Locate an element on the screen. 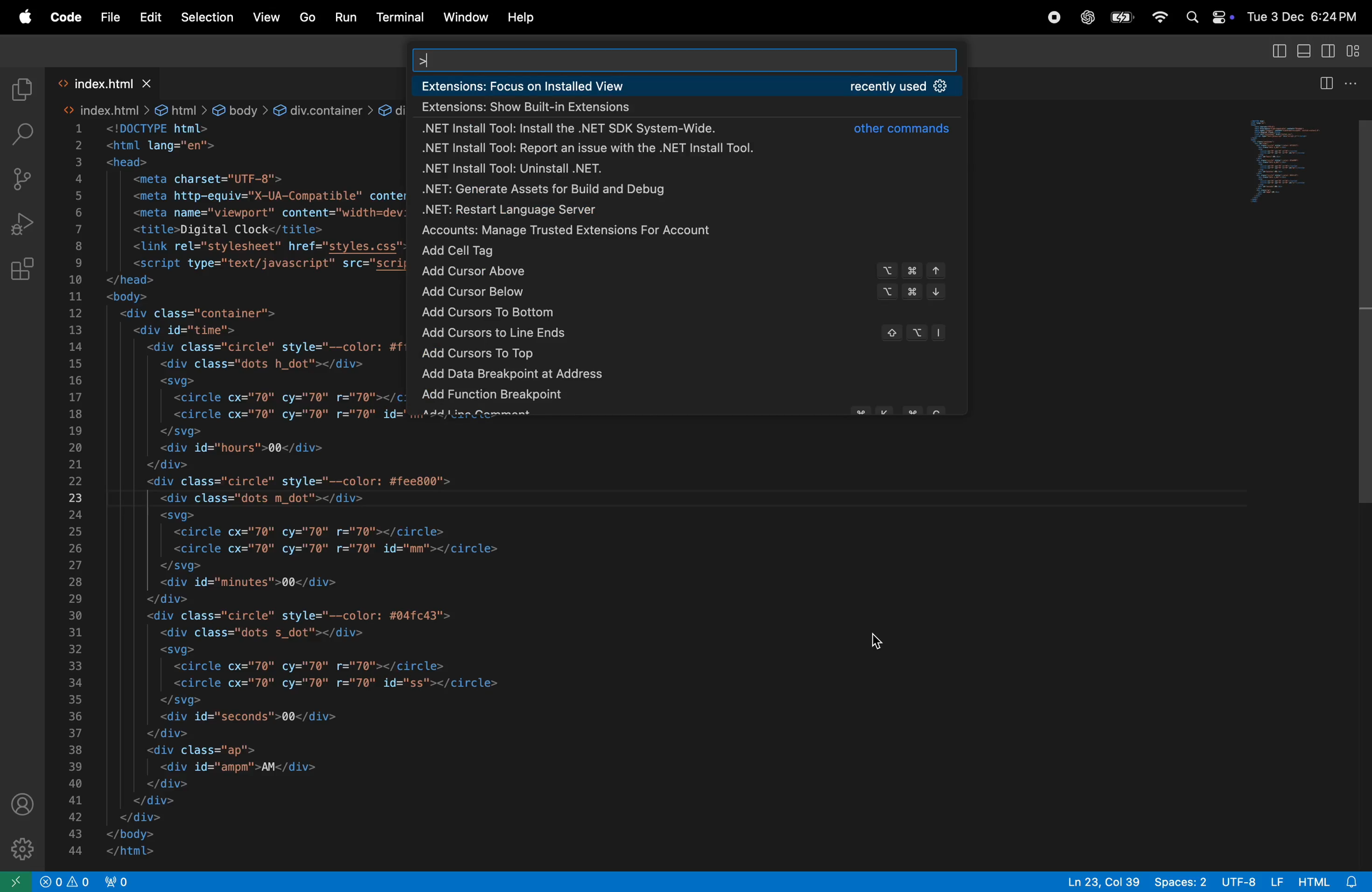 The image size is (1372, 892). index.html is located at coordinates (107, 81).